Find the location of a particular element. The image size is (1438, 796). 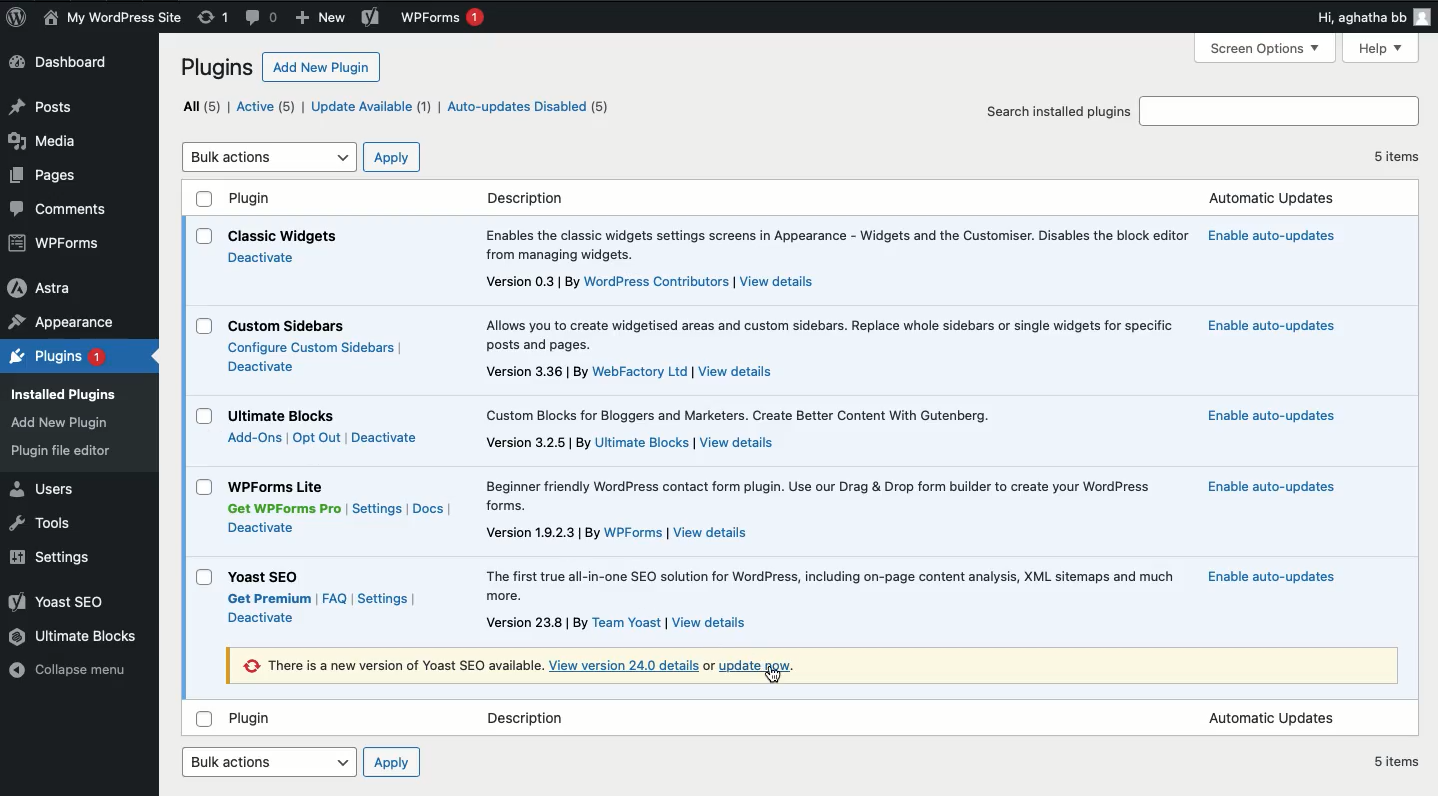

Get WPForms pro is located at coordinates (282, 509).